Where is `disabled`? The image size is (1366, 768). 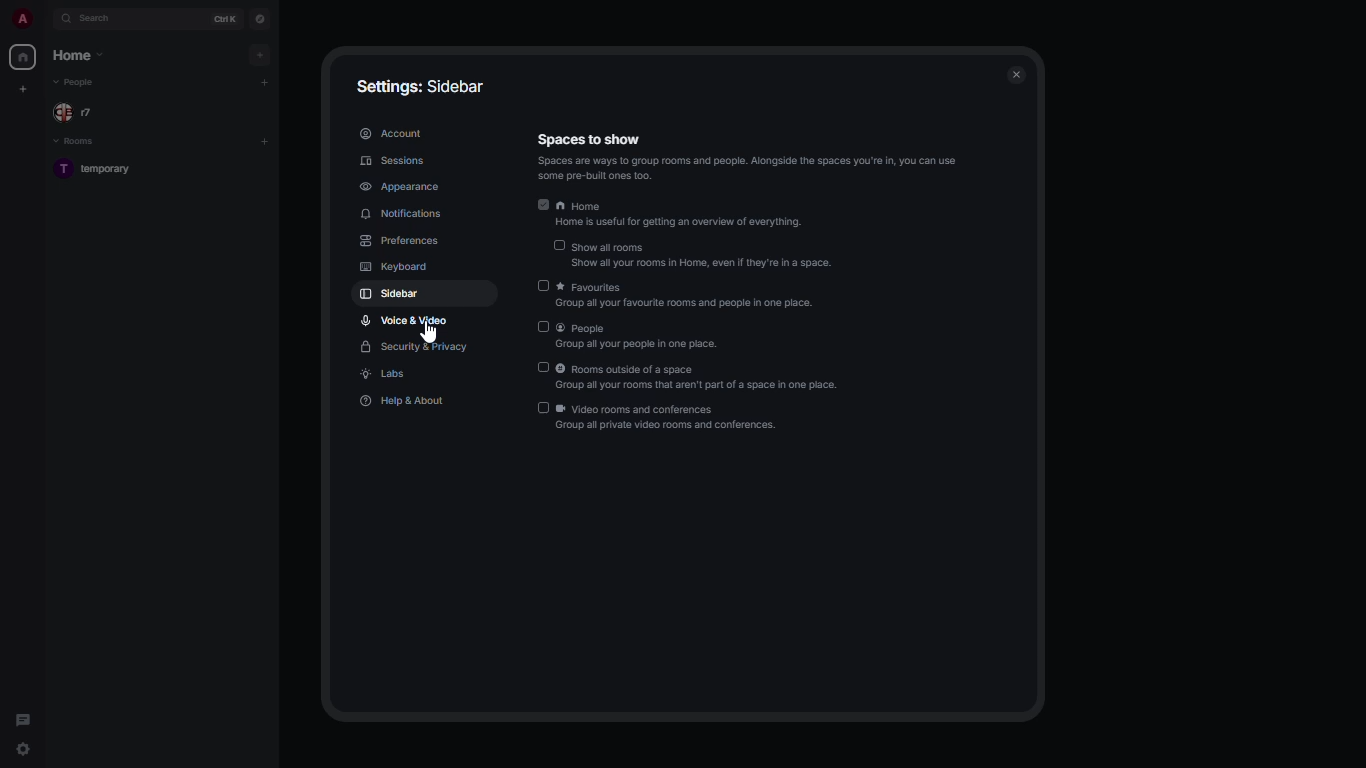 disabled is located at coordinates (542, 286).